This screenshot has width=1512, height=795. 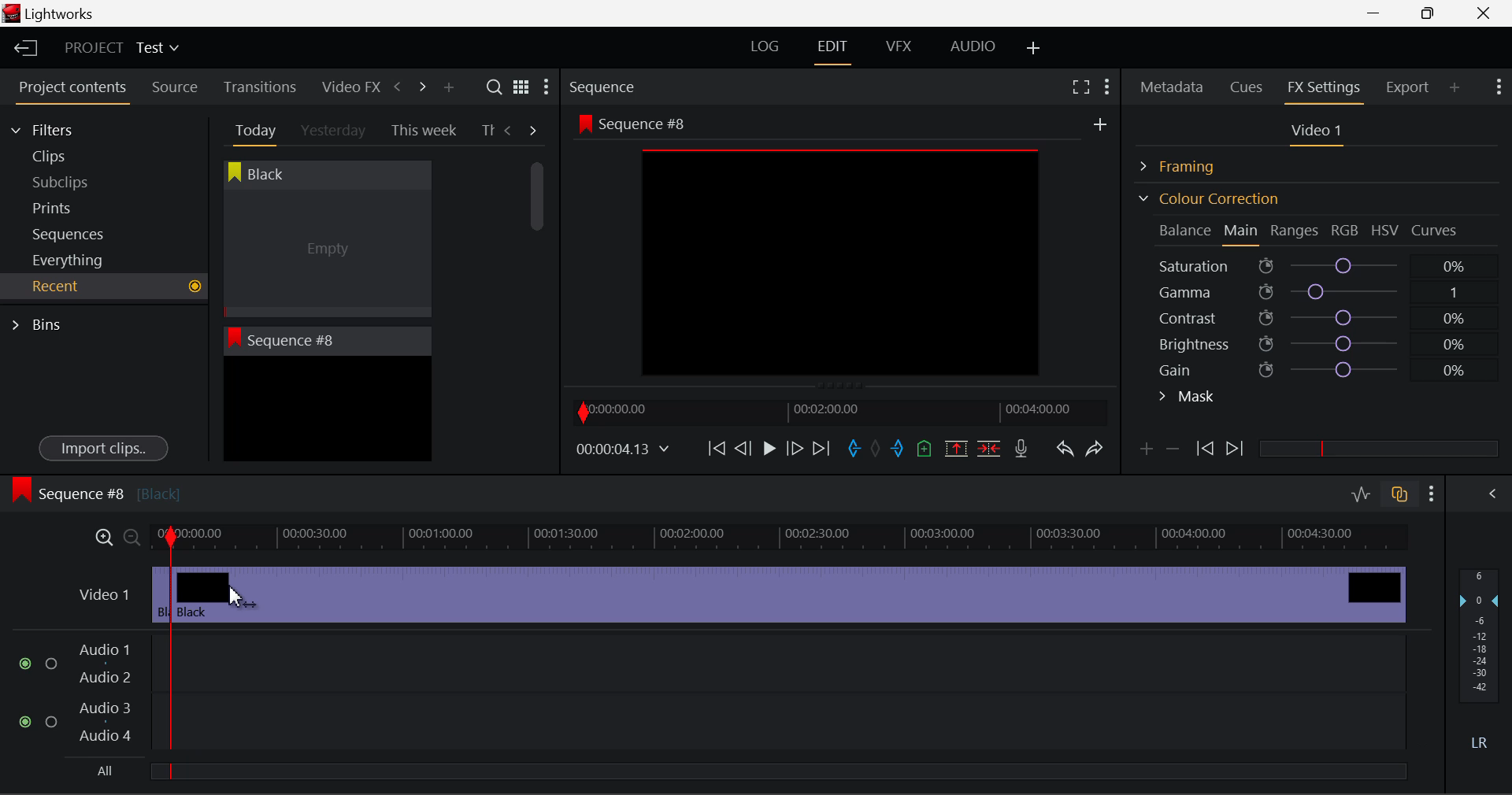 I want to click on Show Settings, so click(x=1432, y=494).